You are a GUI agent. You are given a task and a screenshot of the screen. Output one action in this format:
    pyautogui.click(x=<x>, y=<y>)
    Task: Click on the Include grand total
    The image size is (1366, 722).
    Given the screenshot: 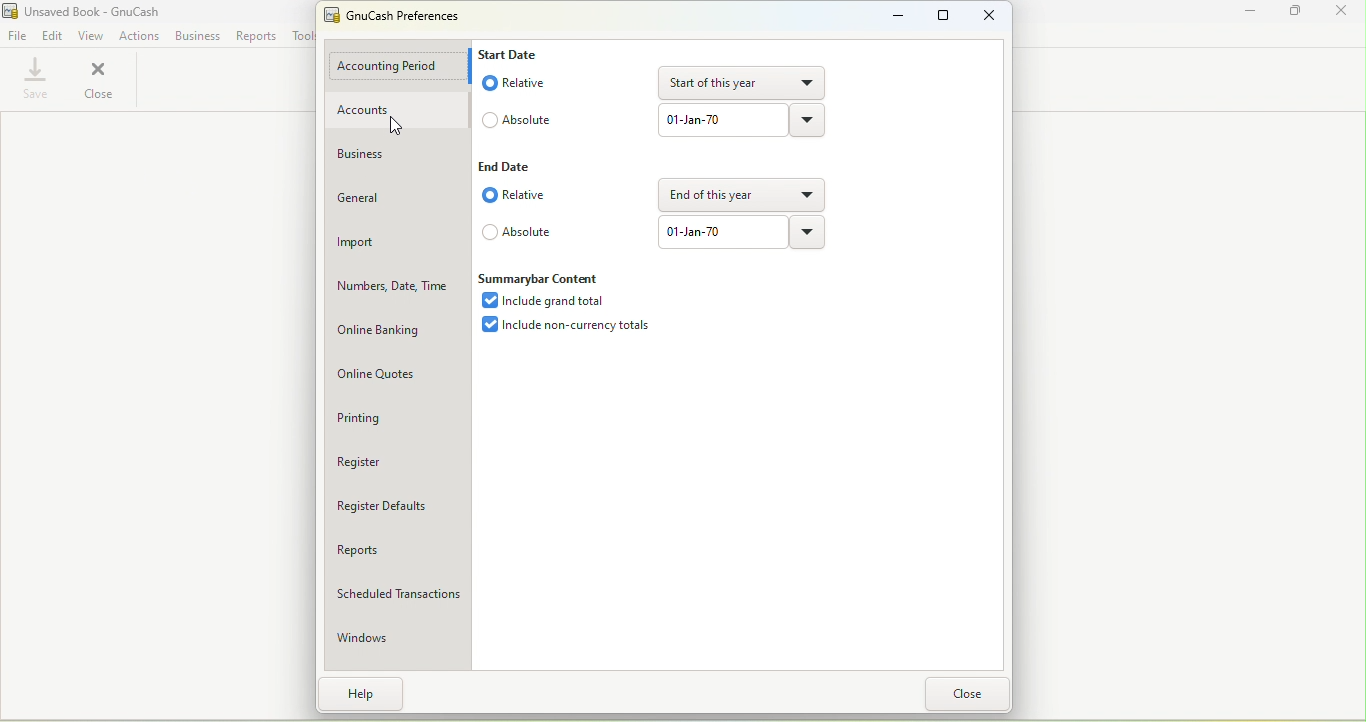 What is the action you would take?
    pyautogui.click(x=543, y=301)
    